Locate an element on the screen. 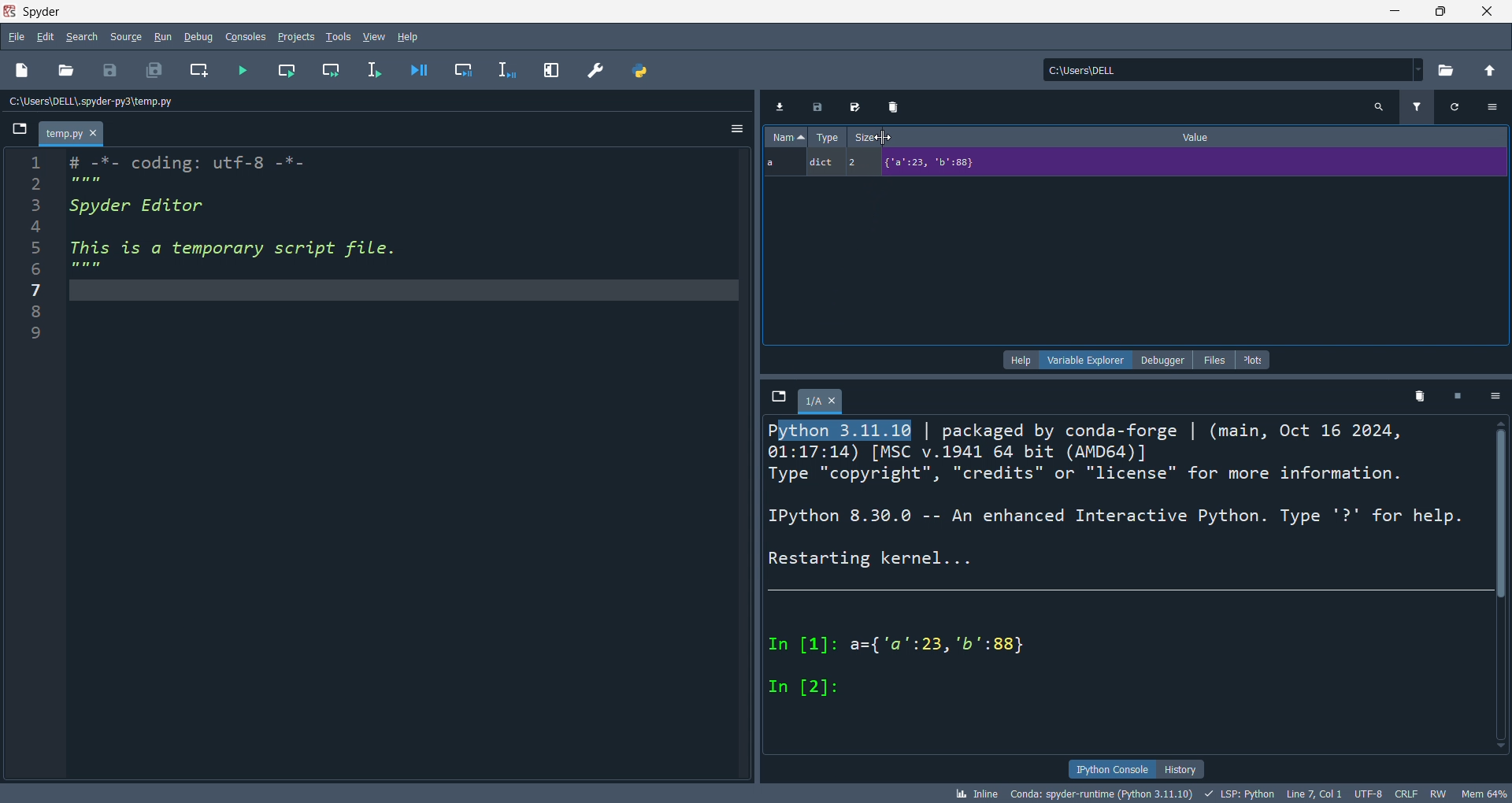 This screenshot has width=1512, height=803. save data as is located at coordinates (850, 107).